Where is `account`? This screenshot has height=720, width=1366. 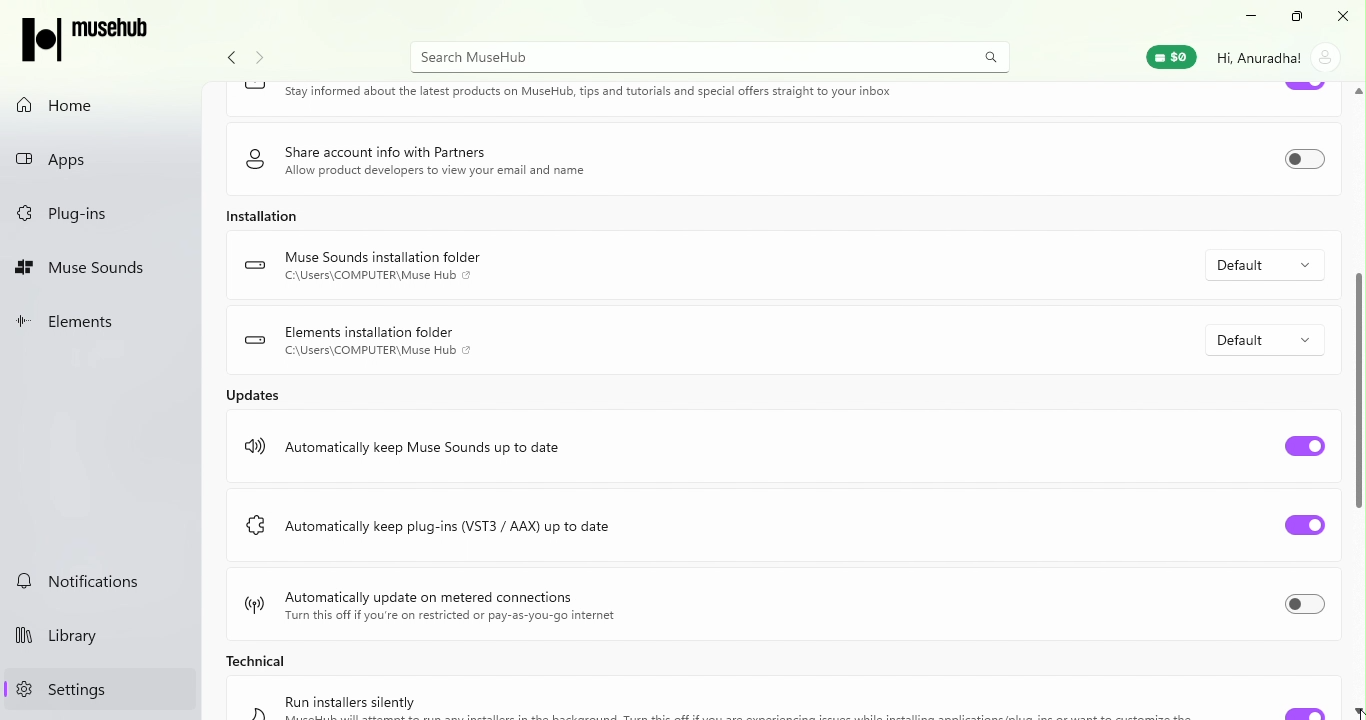
account is located at coordinates (1327, 59).